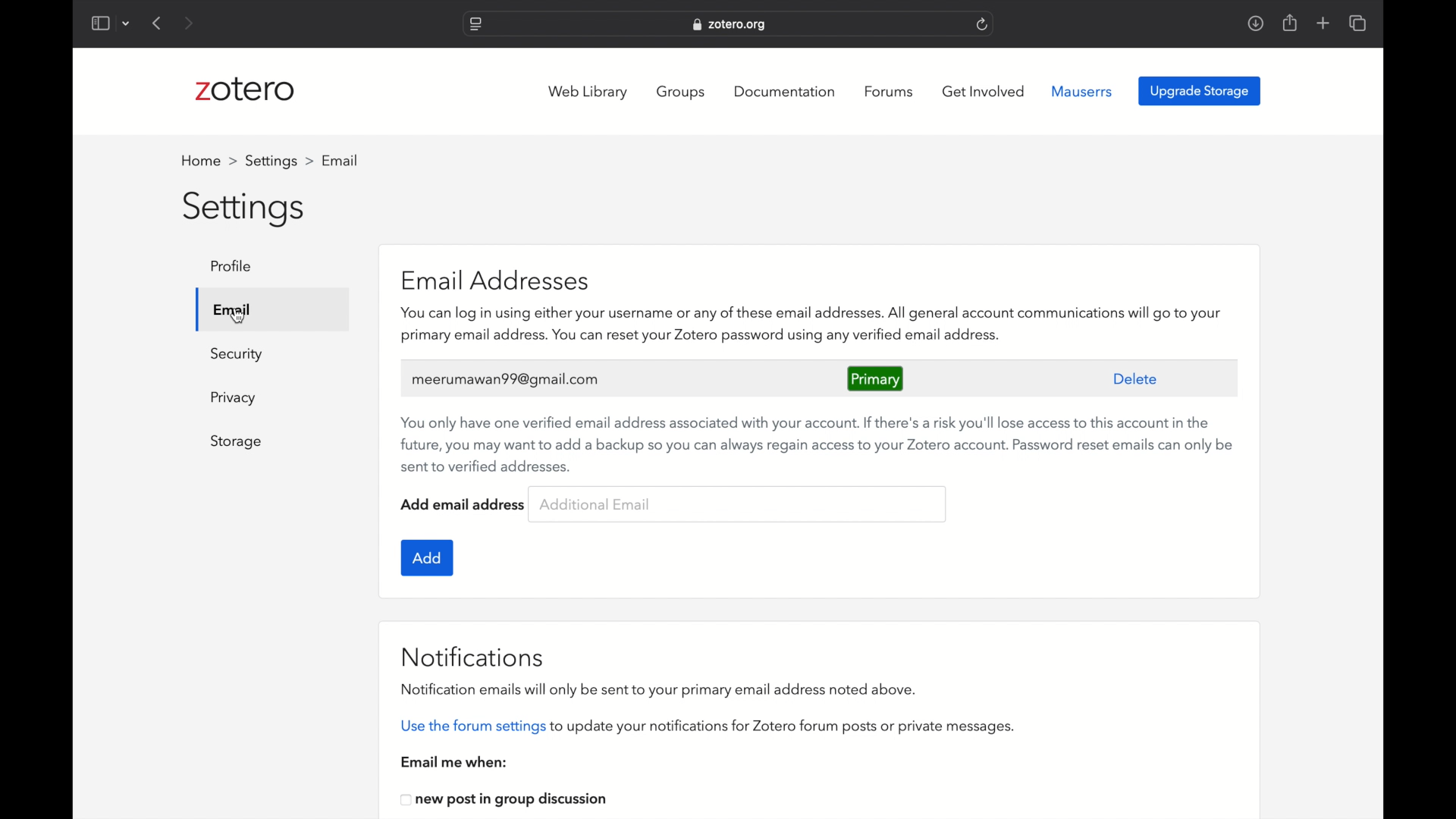 This screenshot has width=1456, height=819. I want to click on new tab, so click(1323, 23).